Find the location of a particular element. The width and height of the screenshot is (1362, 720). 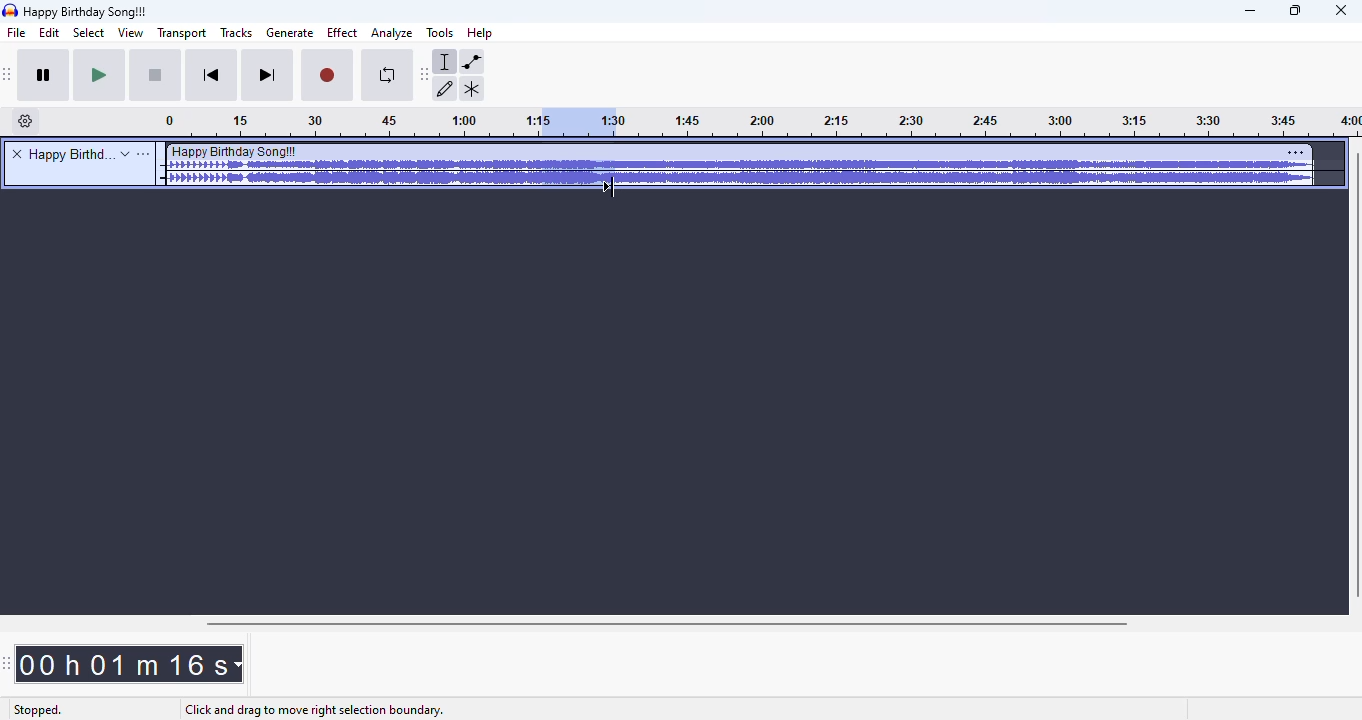

stopped. is located at coordinates (37, 711).